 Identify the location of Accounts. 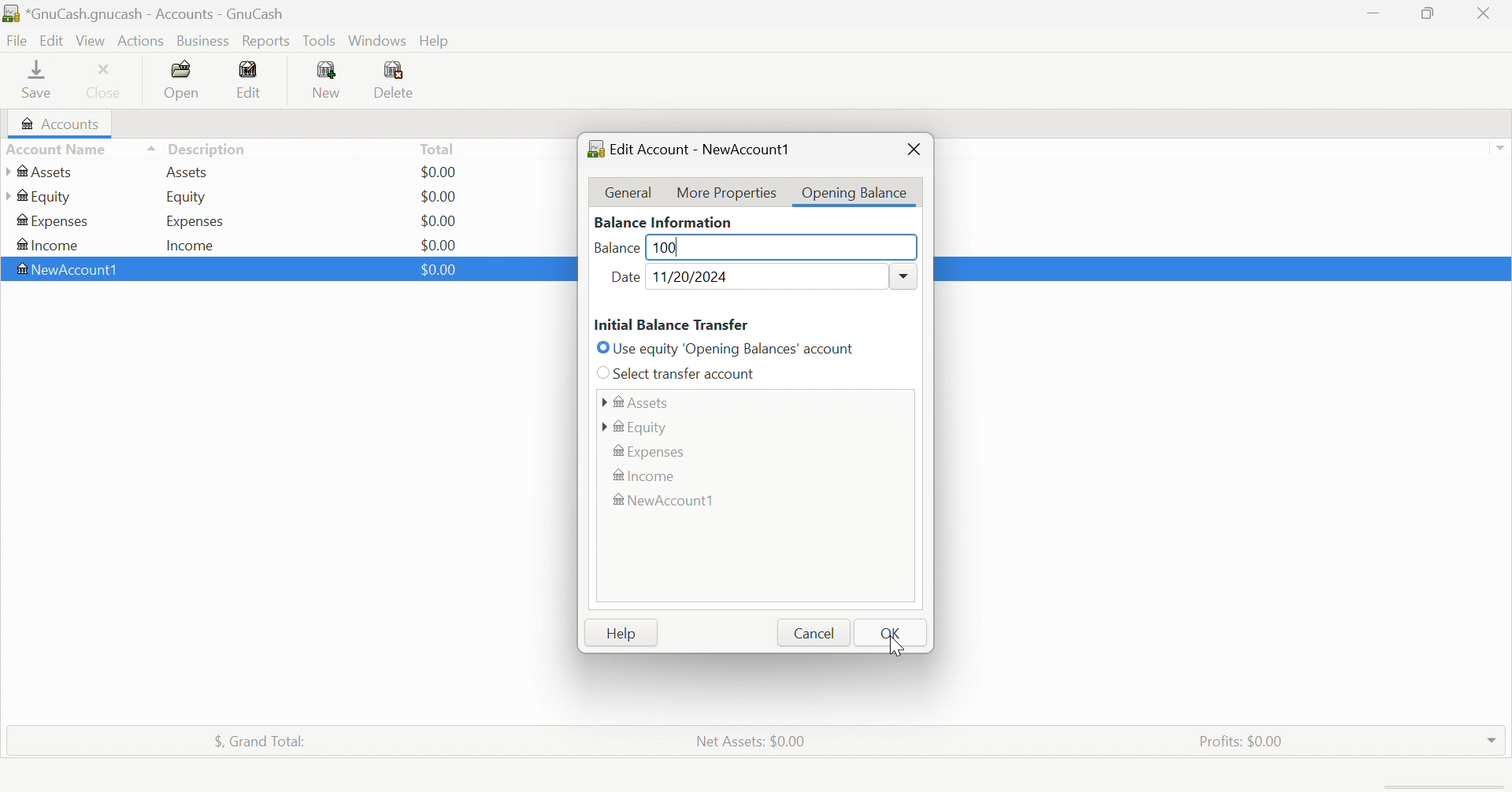
(61, 122).